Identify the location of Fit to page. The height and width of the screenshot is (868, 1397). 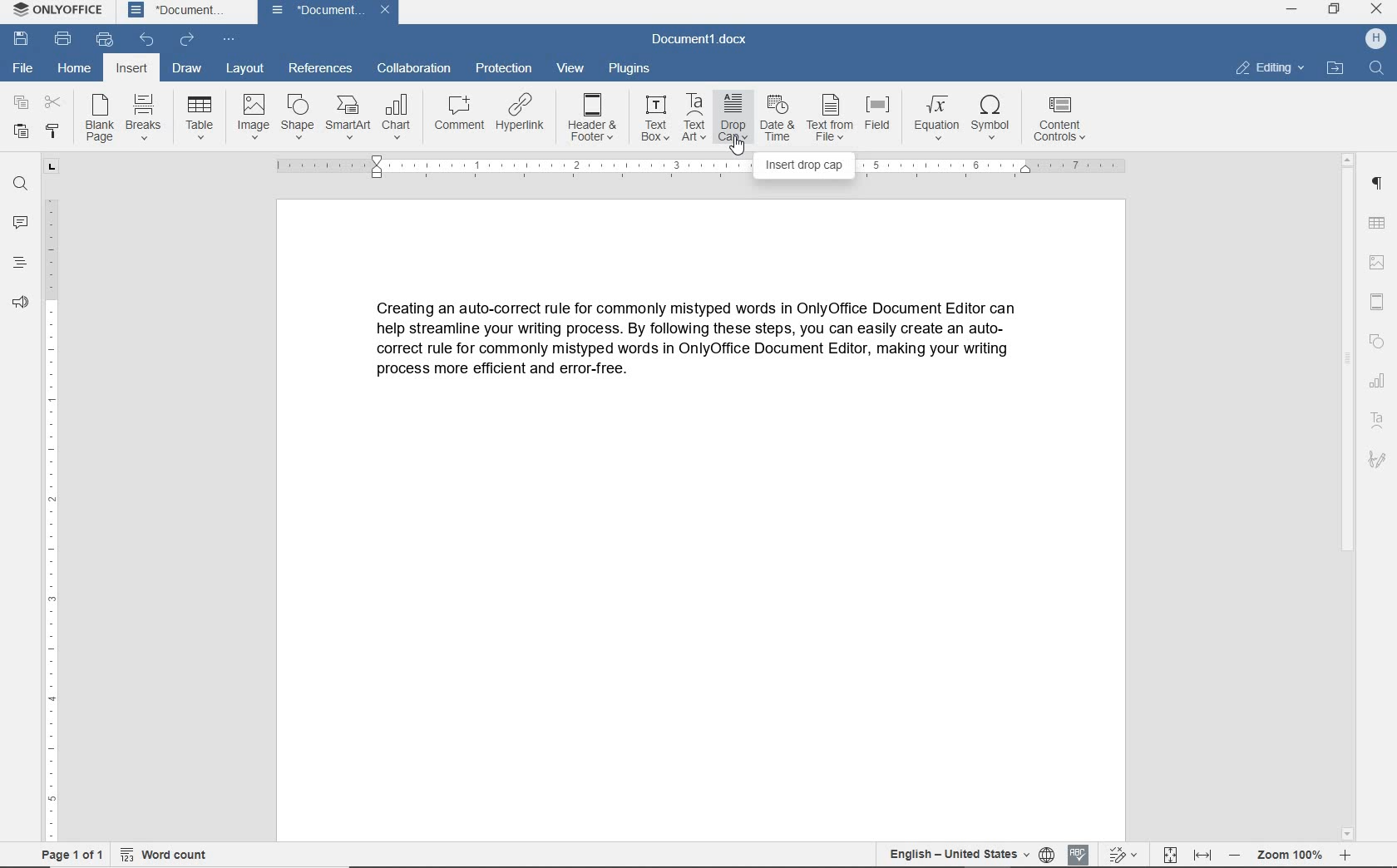
(1171, 851).